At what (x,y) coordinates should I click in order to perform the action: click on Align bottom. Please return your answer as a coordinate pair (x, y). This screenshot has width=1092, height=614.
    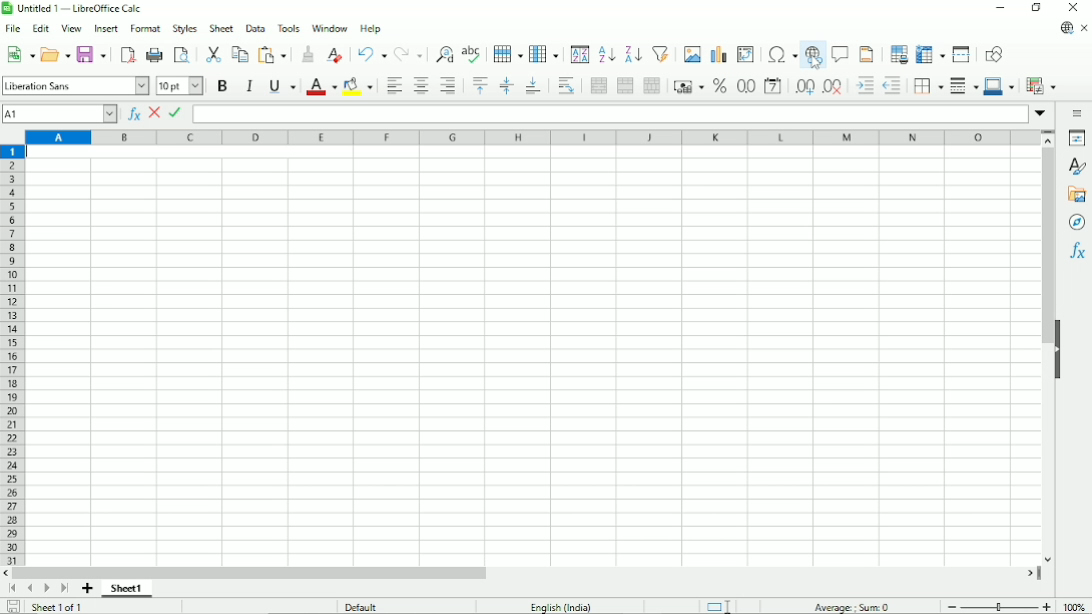
    Looking at the image, I should click on (534, 86).